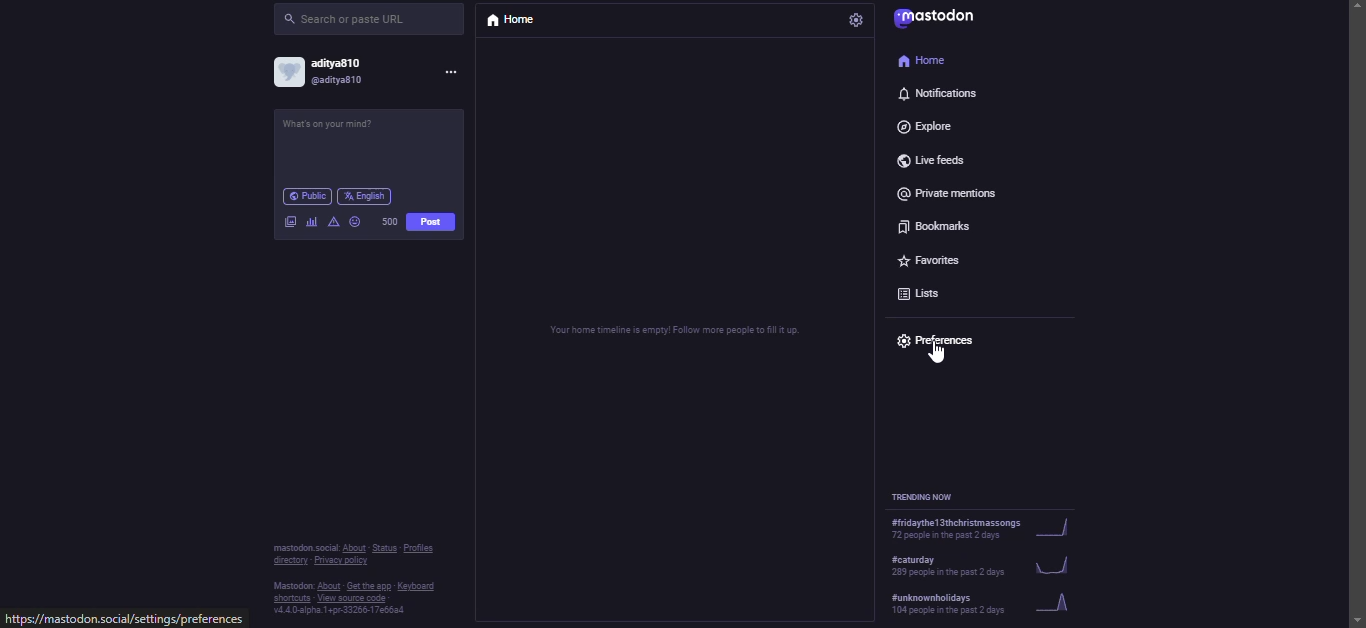 Image resolution: width=1366 pixels, height=628 pixels. Describe the element at coordinates (338, 610) in the screenshot. I see `v4.4.0-alpha.1+pr-33265-17e66a4` at that location.